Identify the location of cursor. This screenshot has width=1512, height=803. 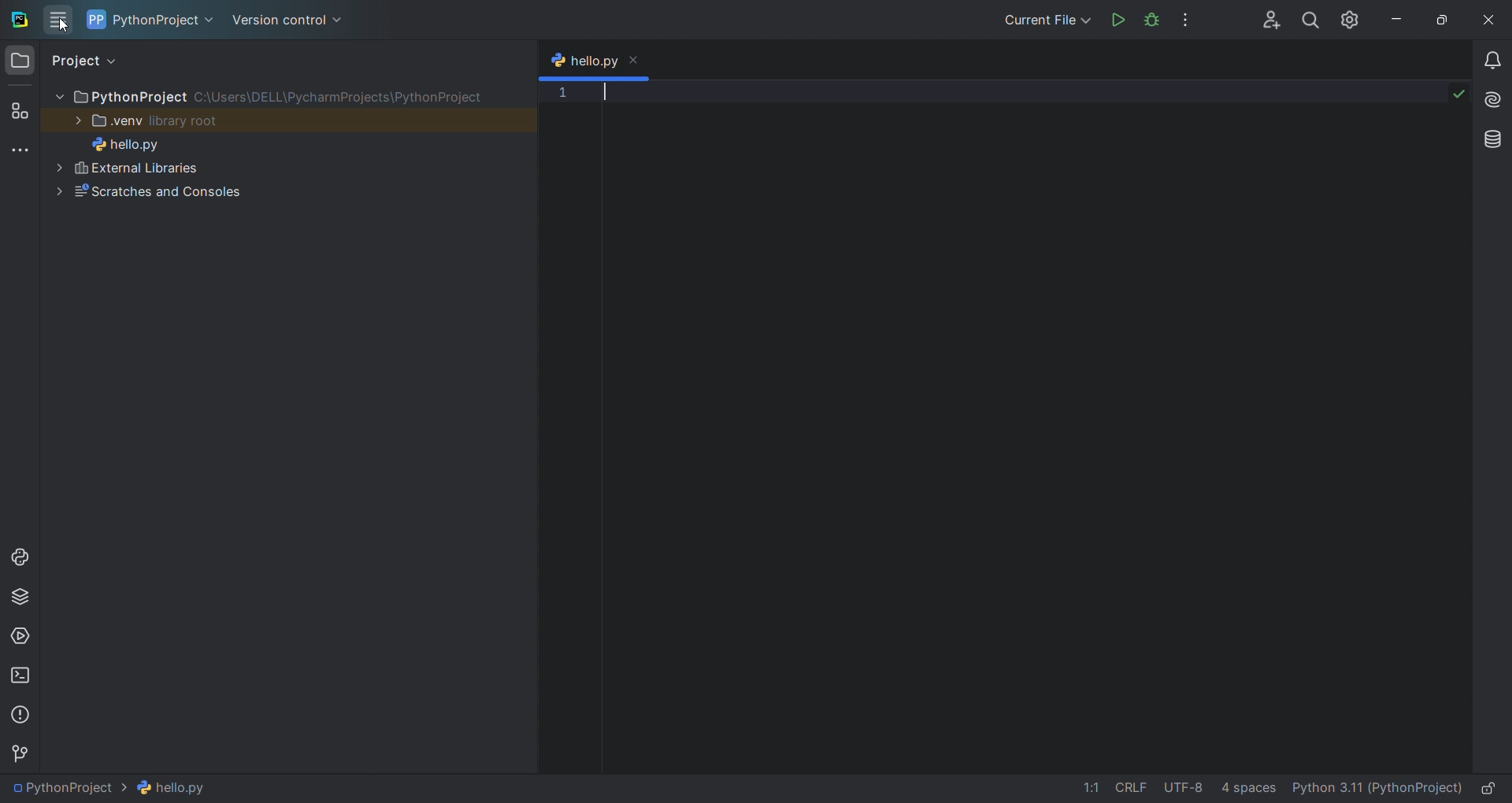
(65, 28).